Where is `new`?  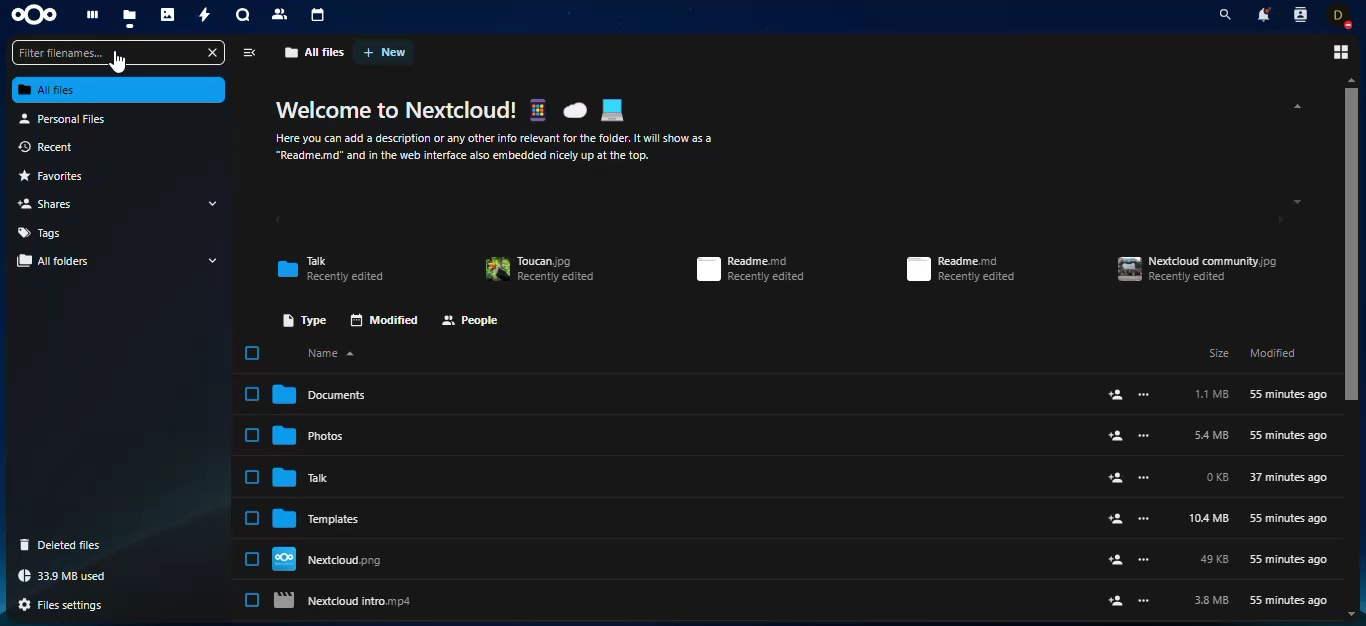
new is located at coordinates (385, 52).